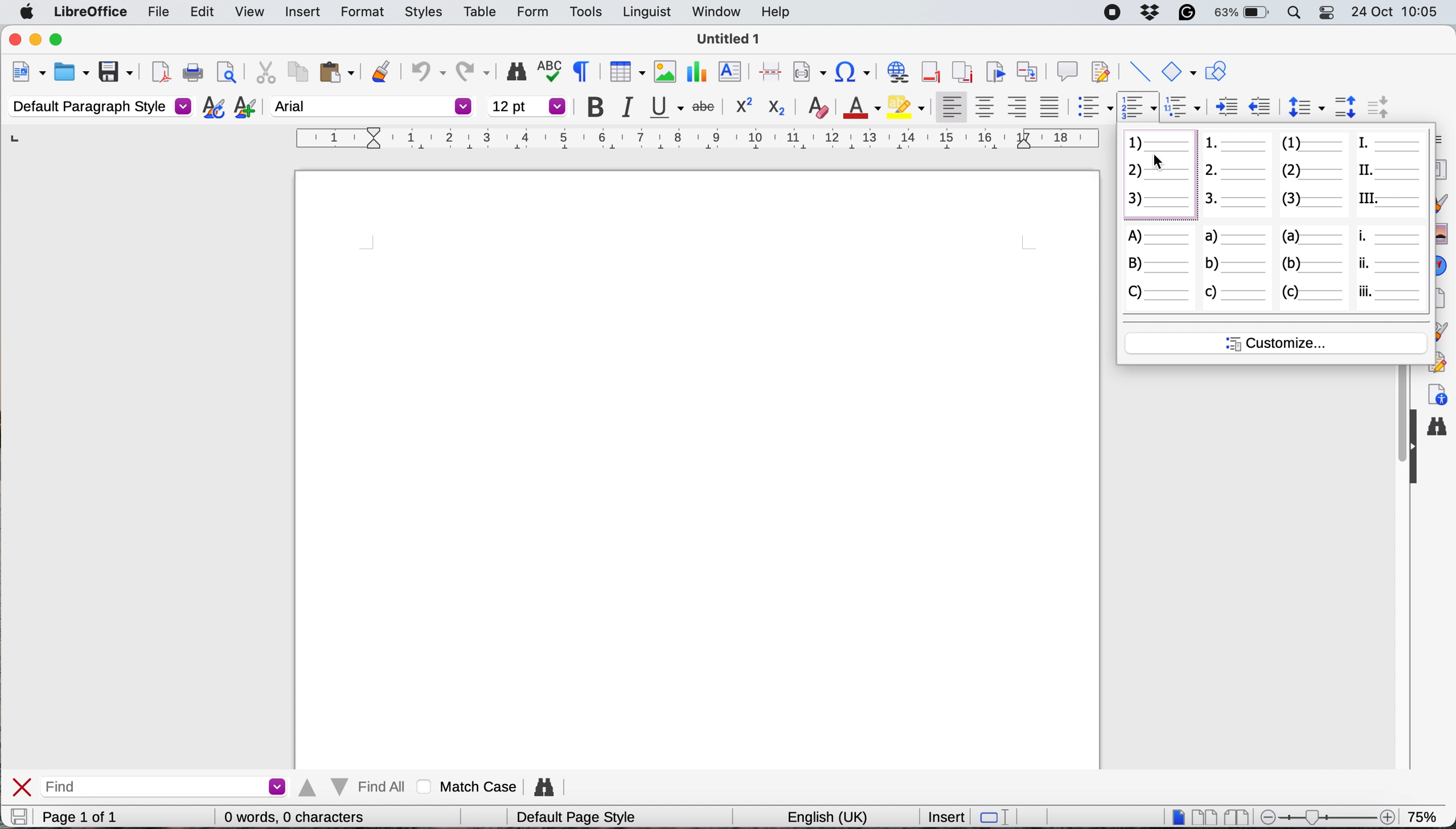  Describe the element at coordinates (1139, 108) in the screenshot. I see `toggle ordered list` at that location.